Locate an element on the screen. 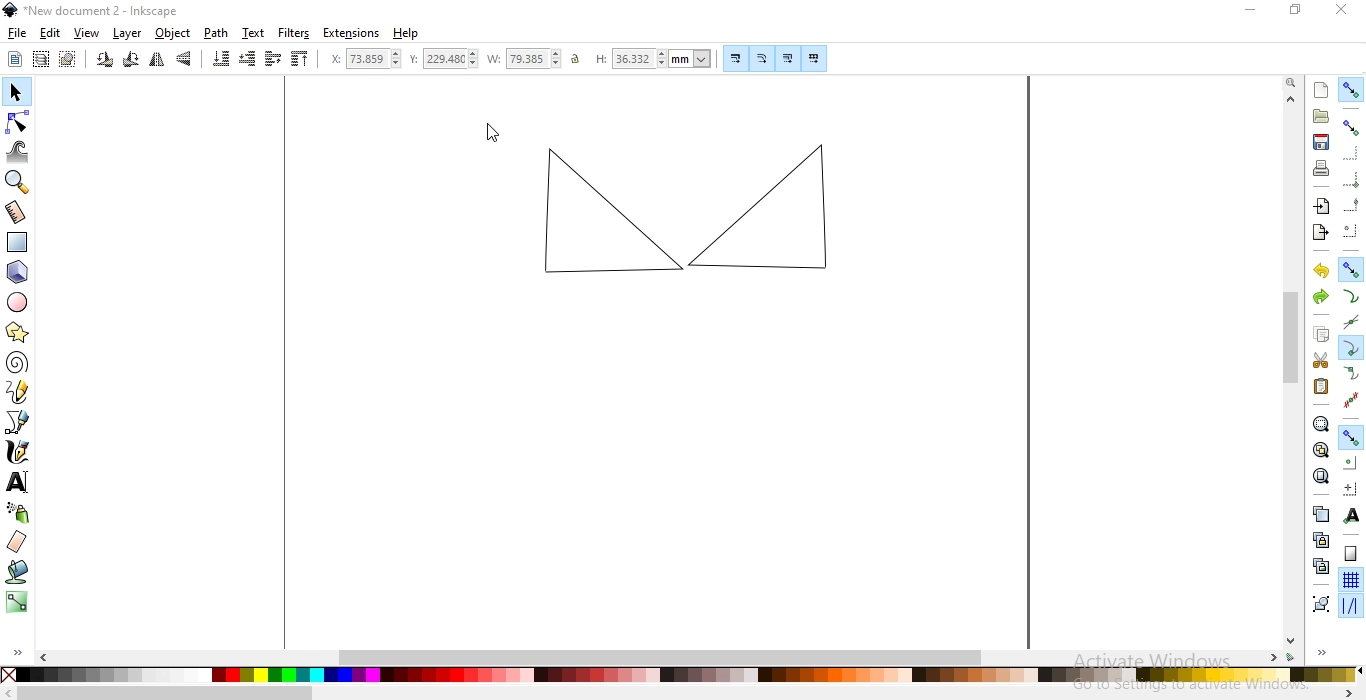  edit is located at coordinates (48, 33).